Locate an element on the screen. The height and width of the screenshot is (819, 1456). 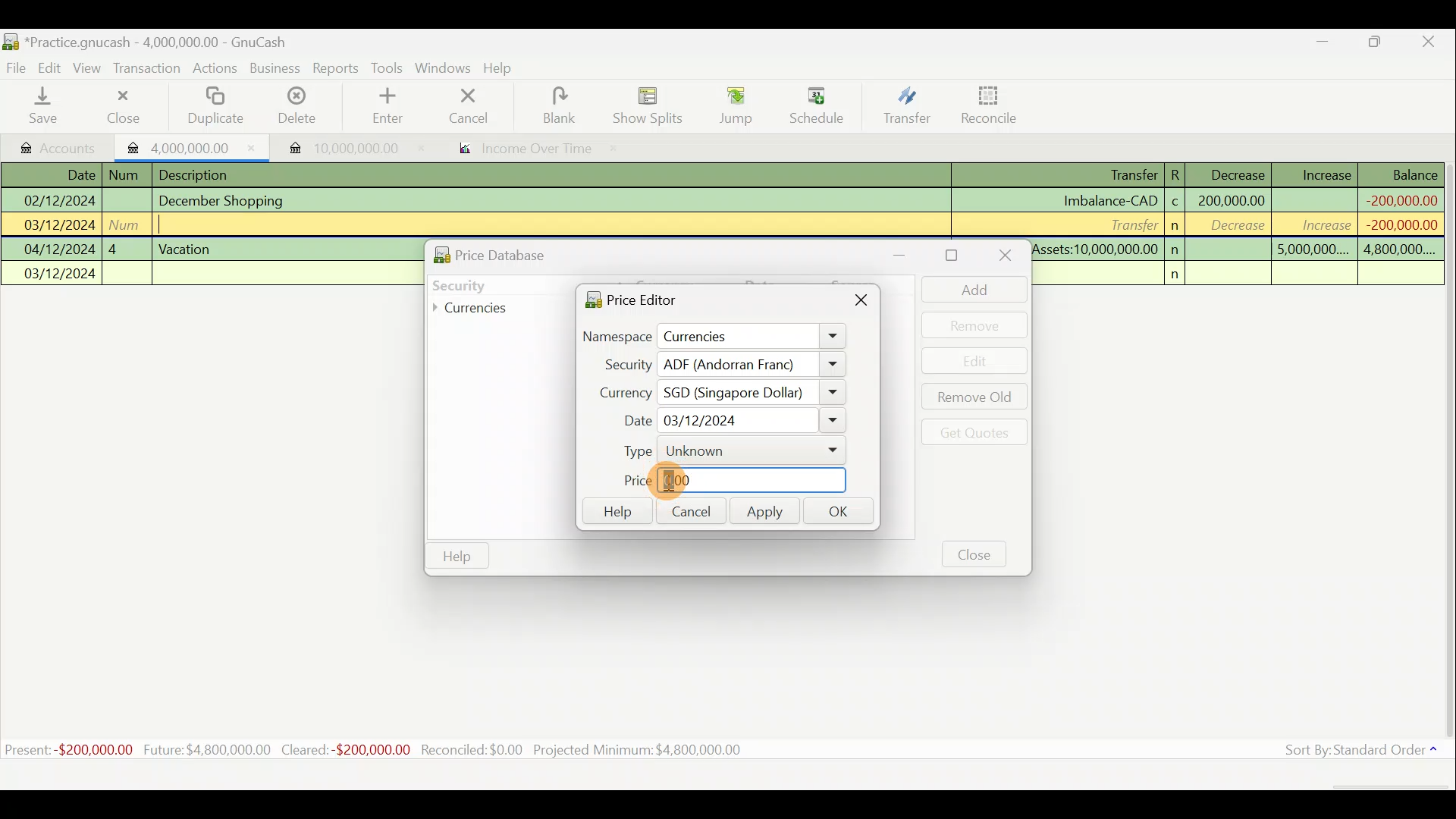
c is located at coordinates (1175, 203).